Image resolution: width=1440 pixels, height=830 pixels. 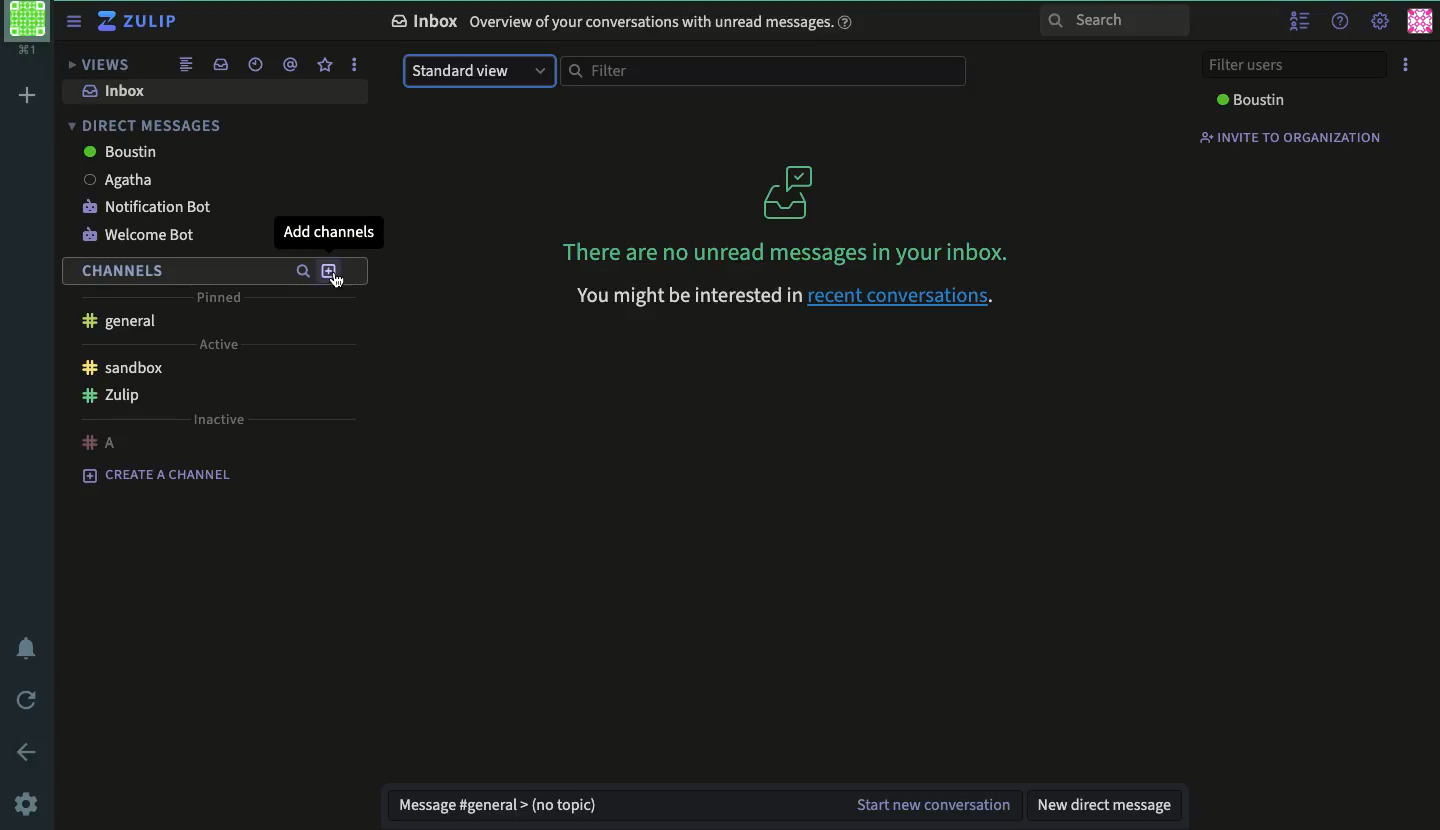 I want to click on views, so click(x=95, y=66).